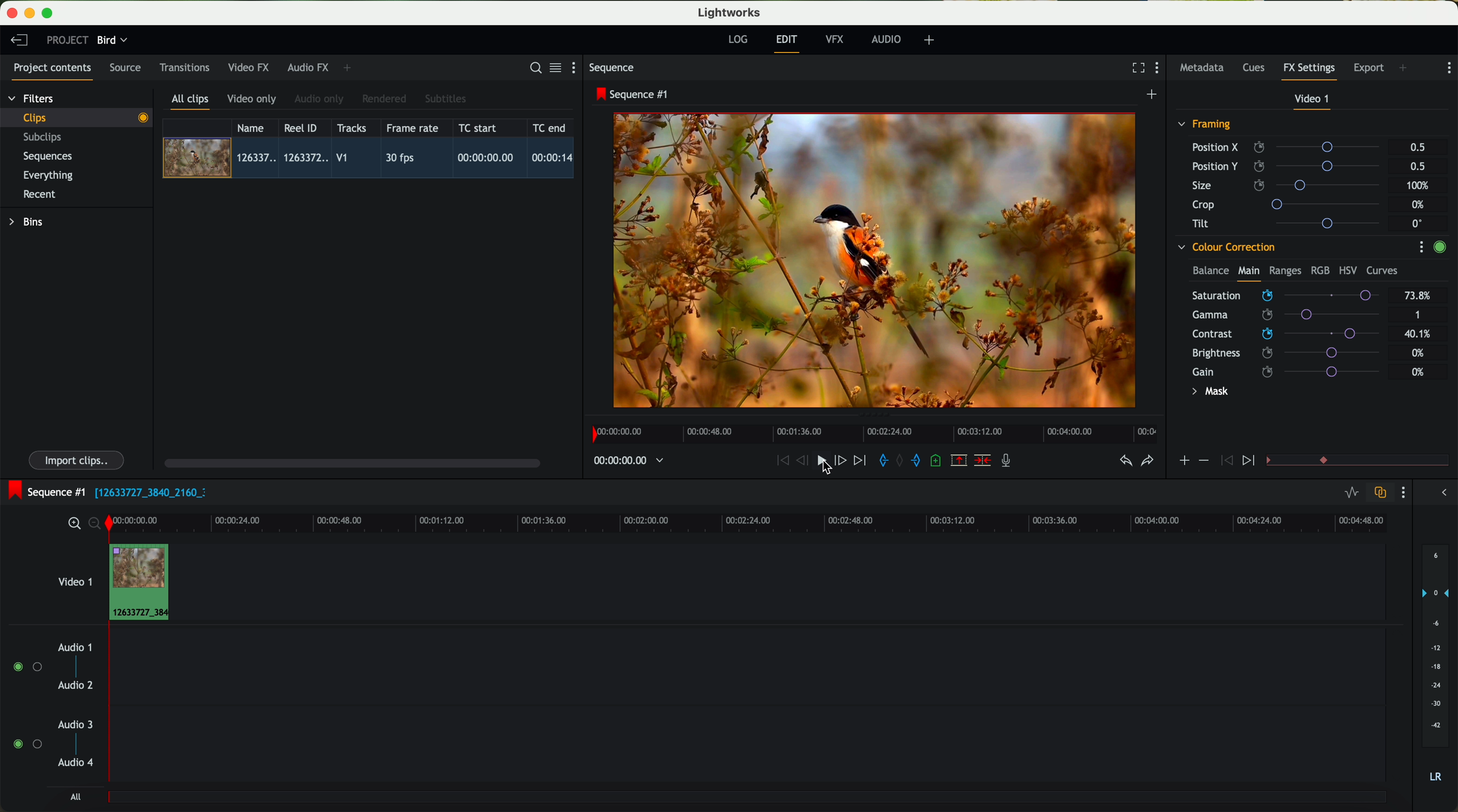 This screenshot has height=812, width=1458. What do you see at coordinates (1285, 293) in the screenshot?
I see `mouse up (saturation)` at bounding box center [1285, 293].